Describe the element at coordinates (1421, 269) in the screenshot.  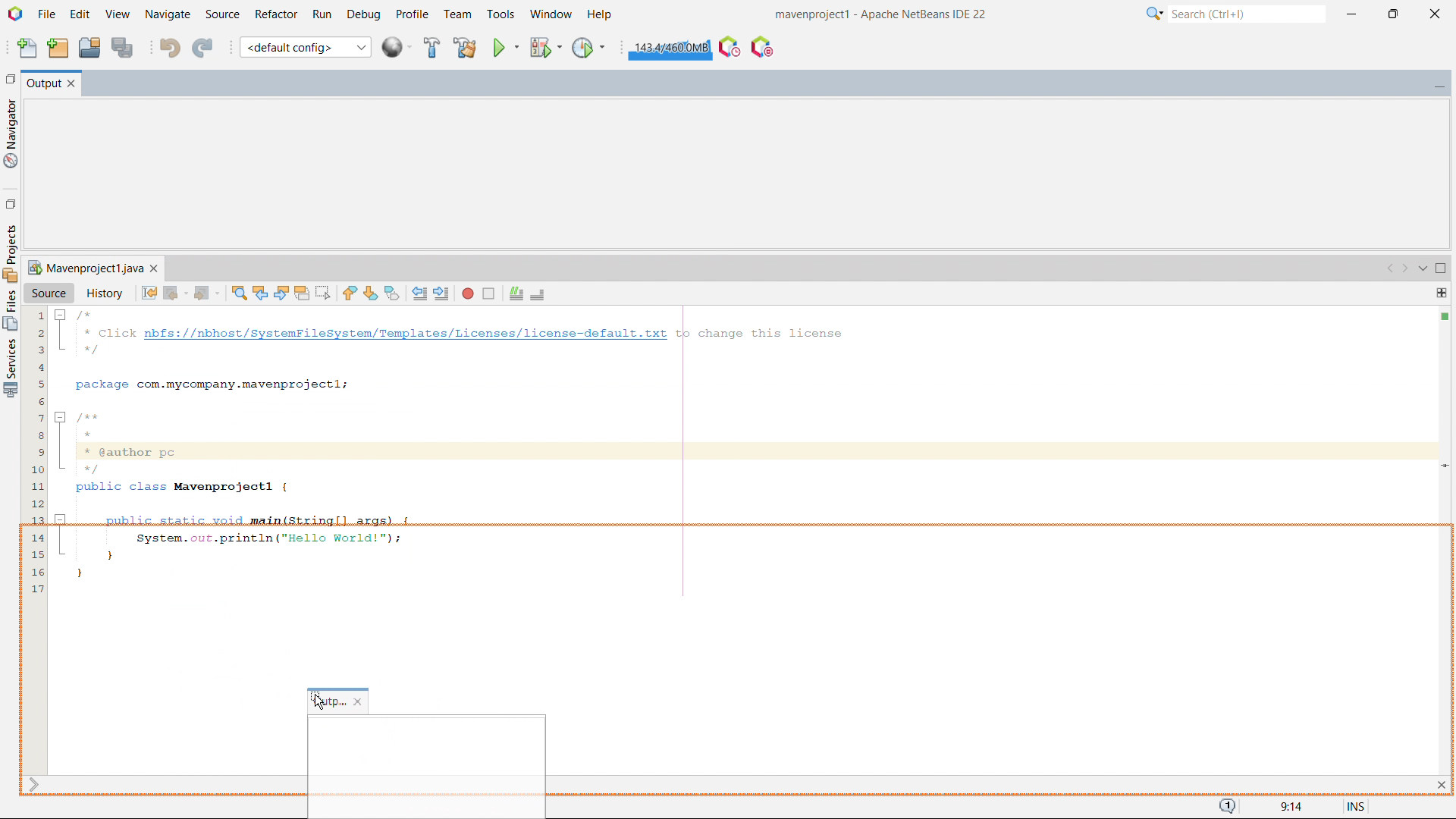
I see `show opened documents` at that location.